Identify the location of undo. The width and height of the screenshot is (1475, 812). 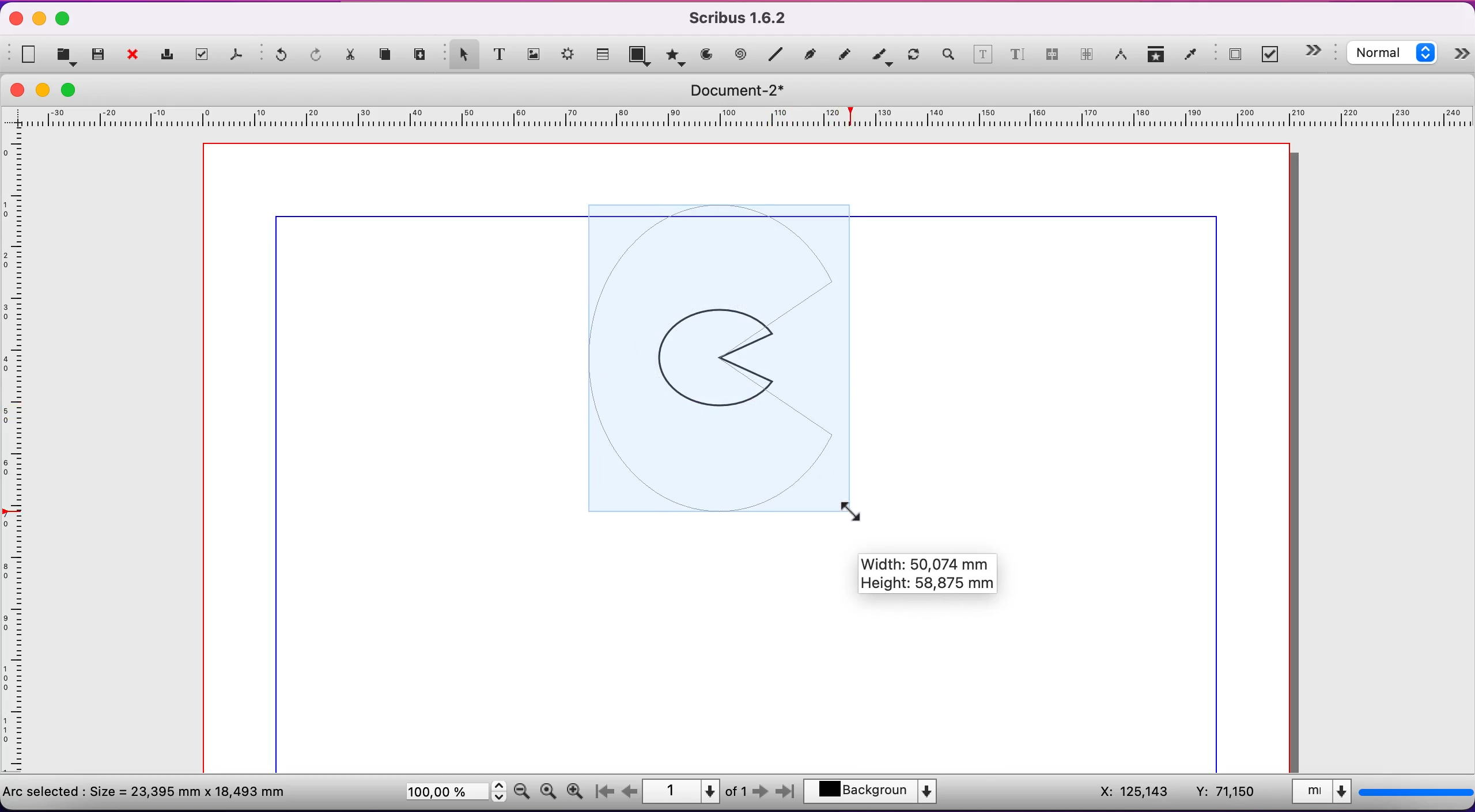
(277, 58).